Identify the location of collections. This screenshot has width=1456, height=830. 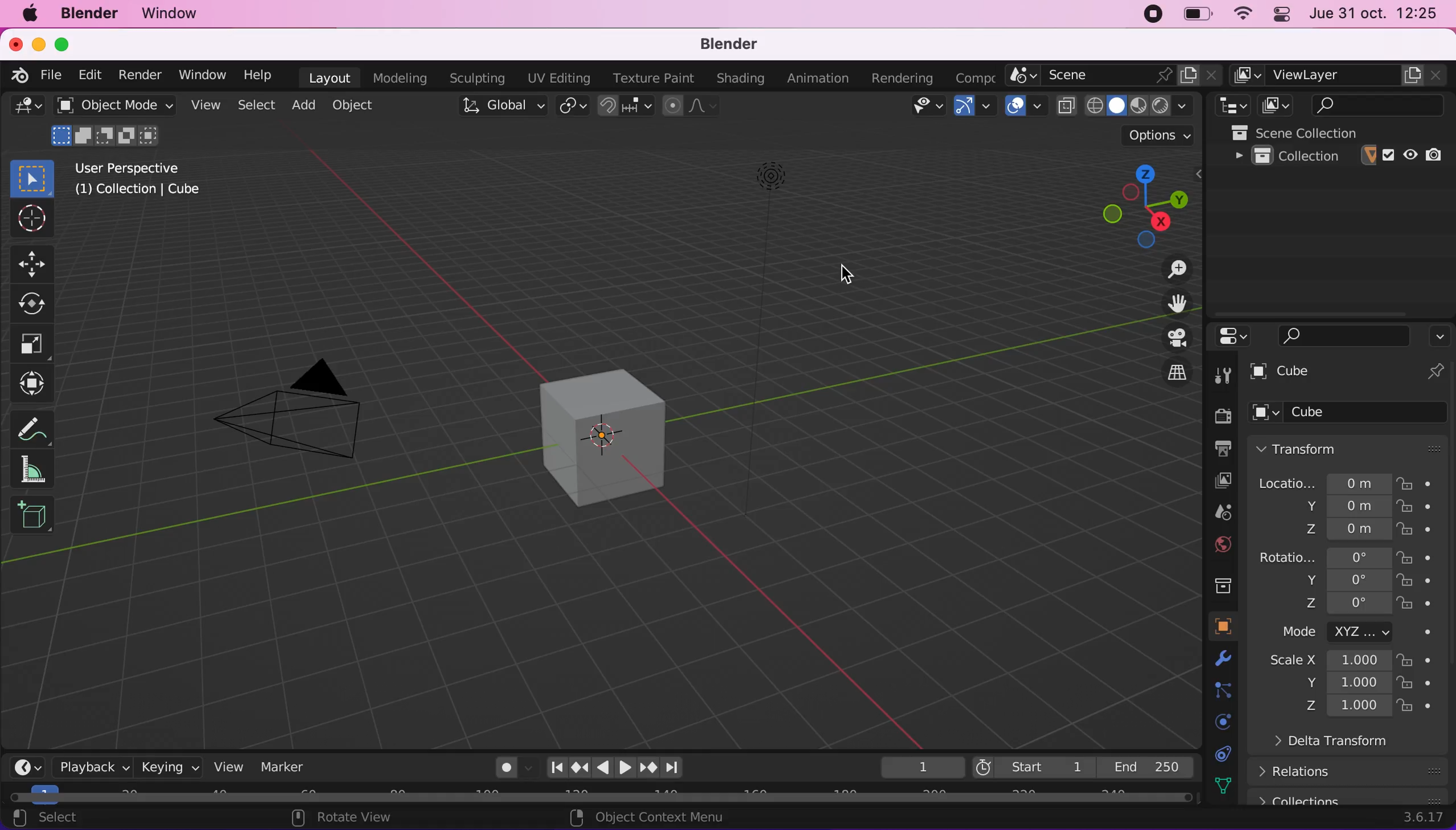
(1351, 797).